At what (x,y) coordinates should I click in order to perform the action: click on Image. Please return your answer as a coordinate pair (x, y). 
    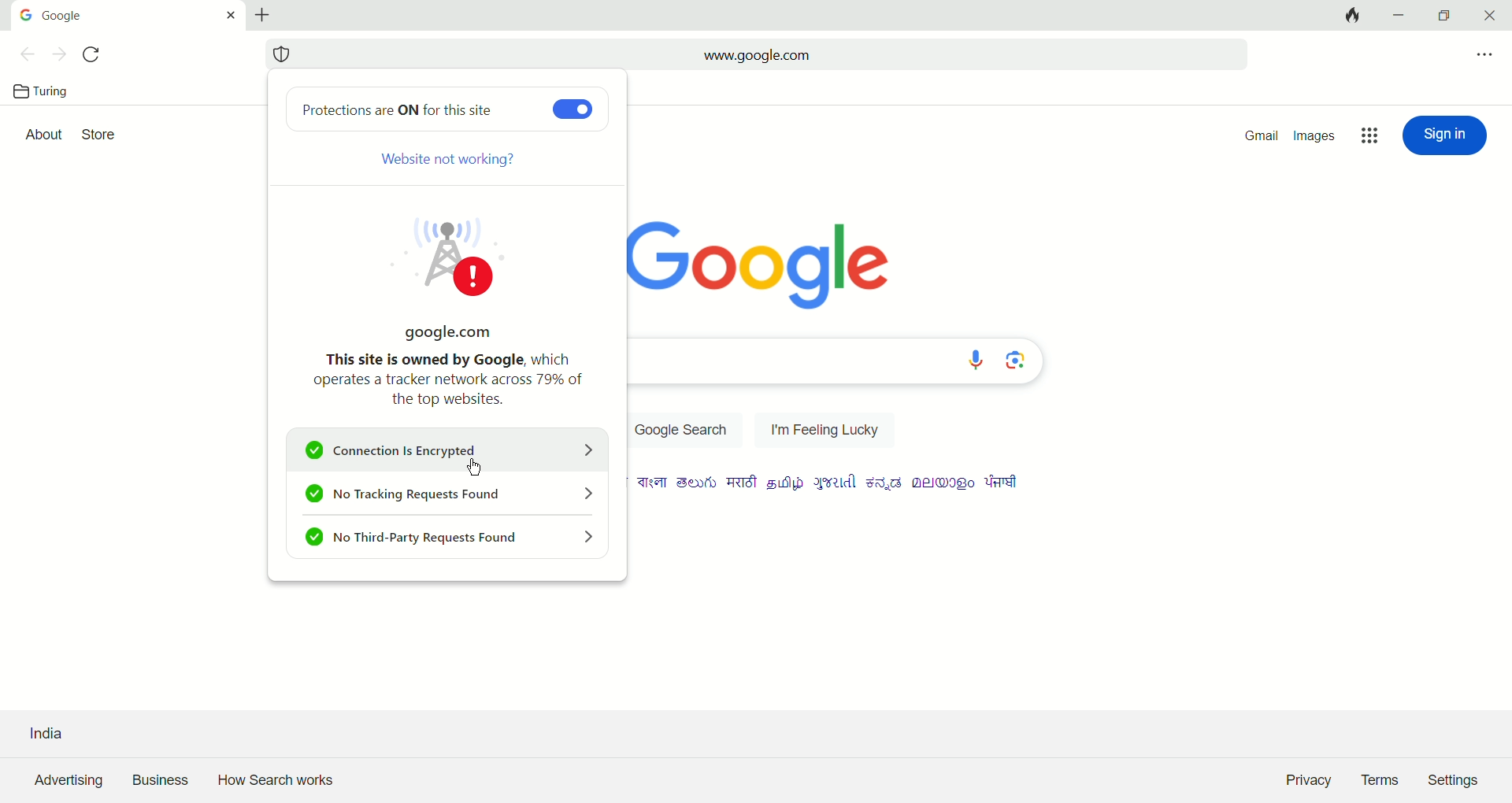
    Looking at the image, I should click on (470, 256).